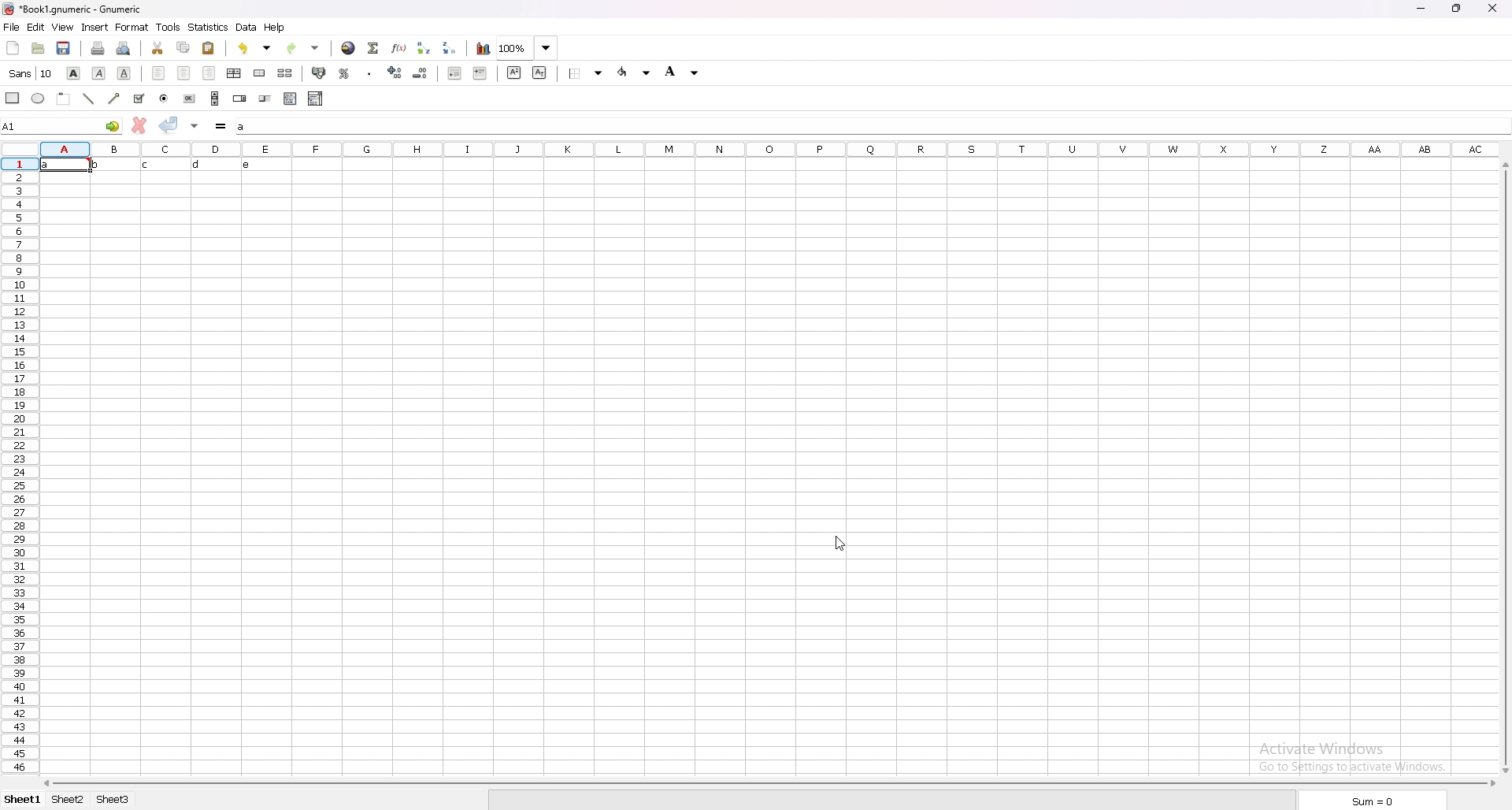 Image resolution: width=1512 pixels, height=810 pixels. I want to click on sum=0, so click(1373, 802).